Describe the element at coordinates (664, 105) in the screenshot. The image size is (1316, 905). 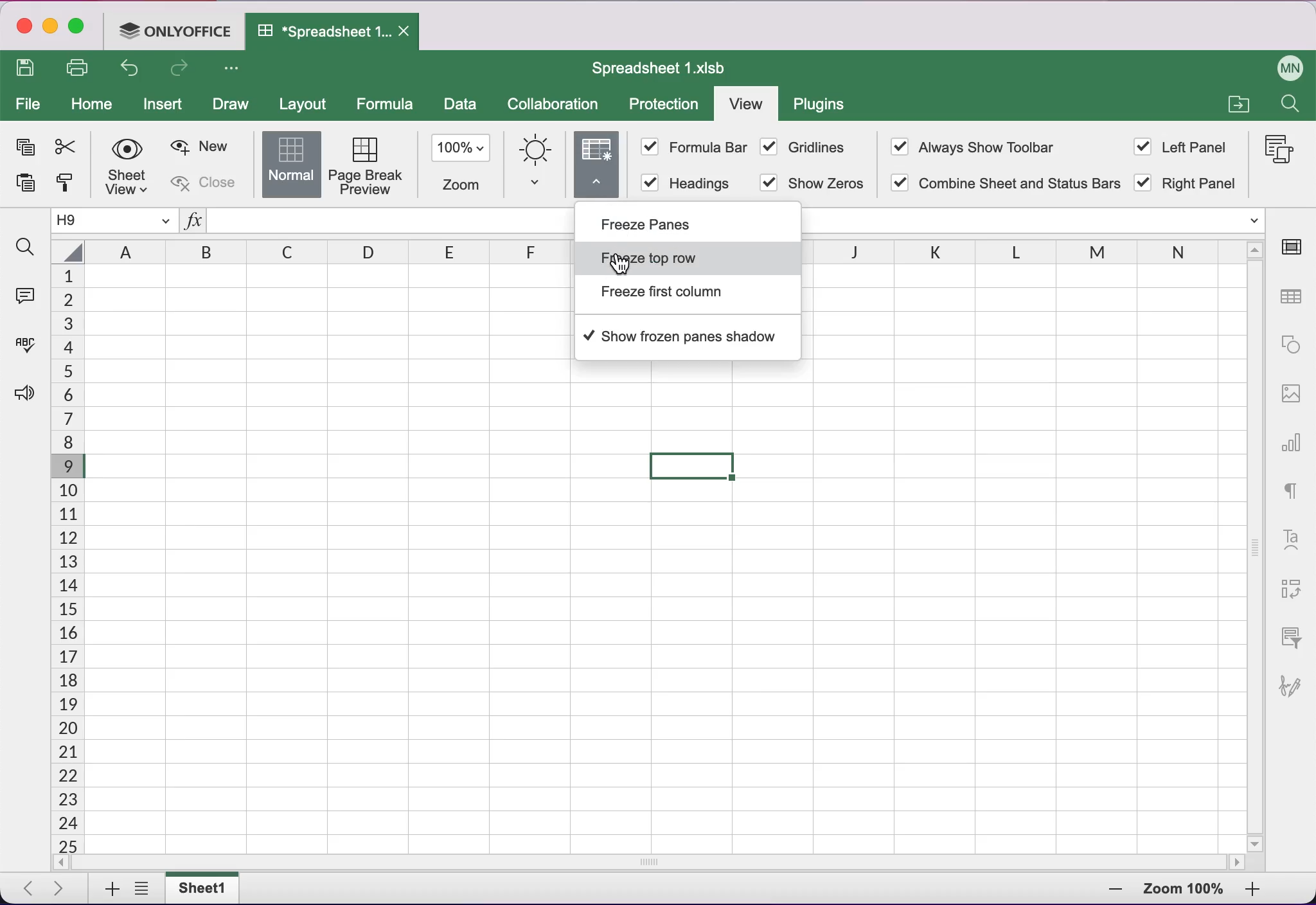
I see `protection` at that location.